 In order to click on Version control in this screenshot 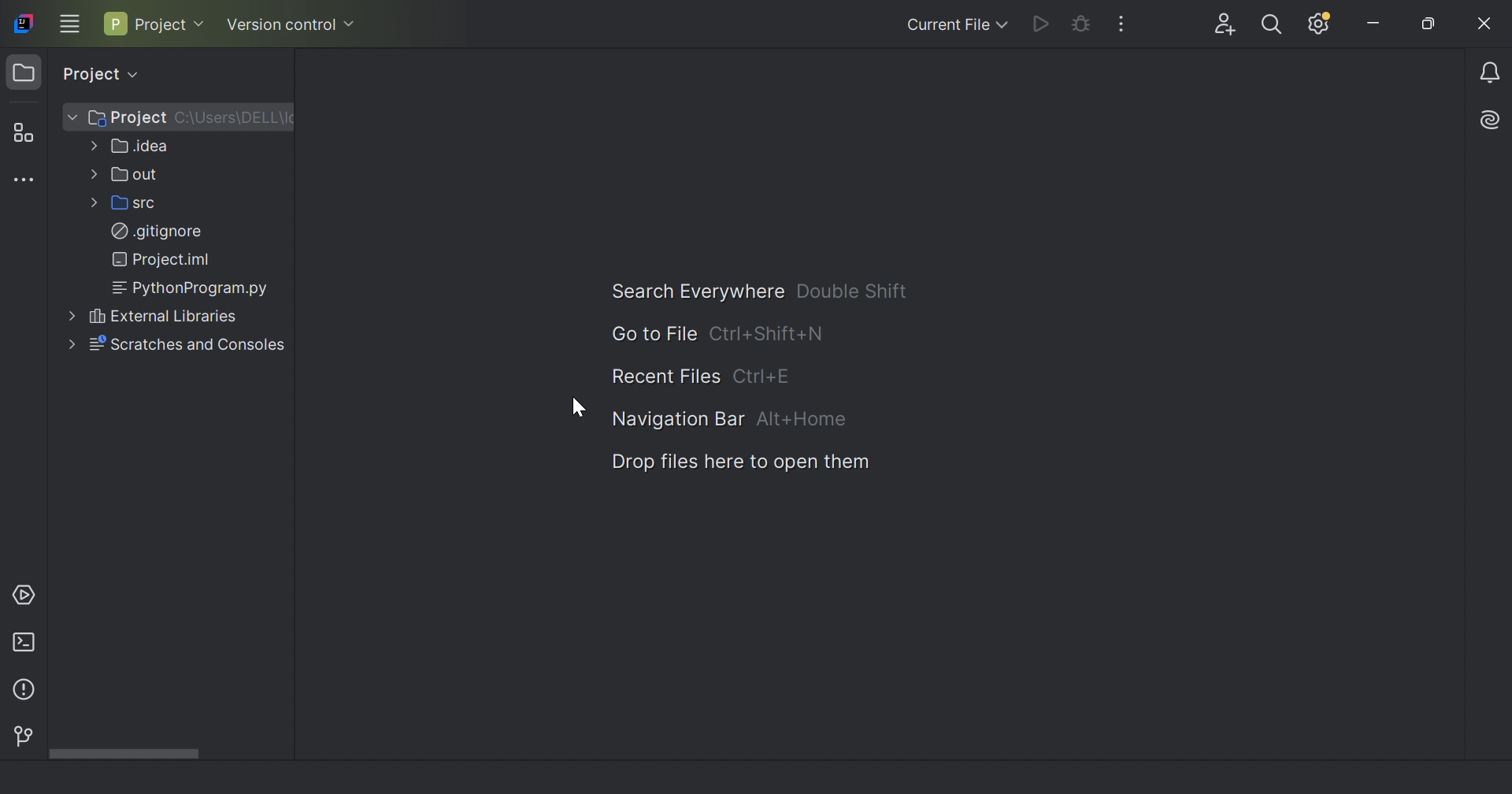, I will do `click(20, 734)`.